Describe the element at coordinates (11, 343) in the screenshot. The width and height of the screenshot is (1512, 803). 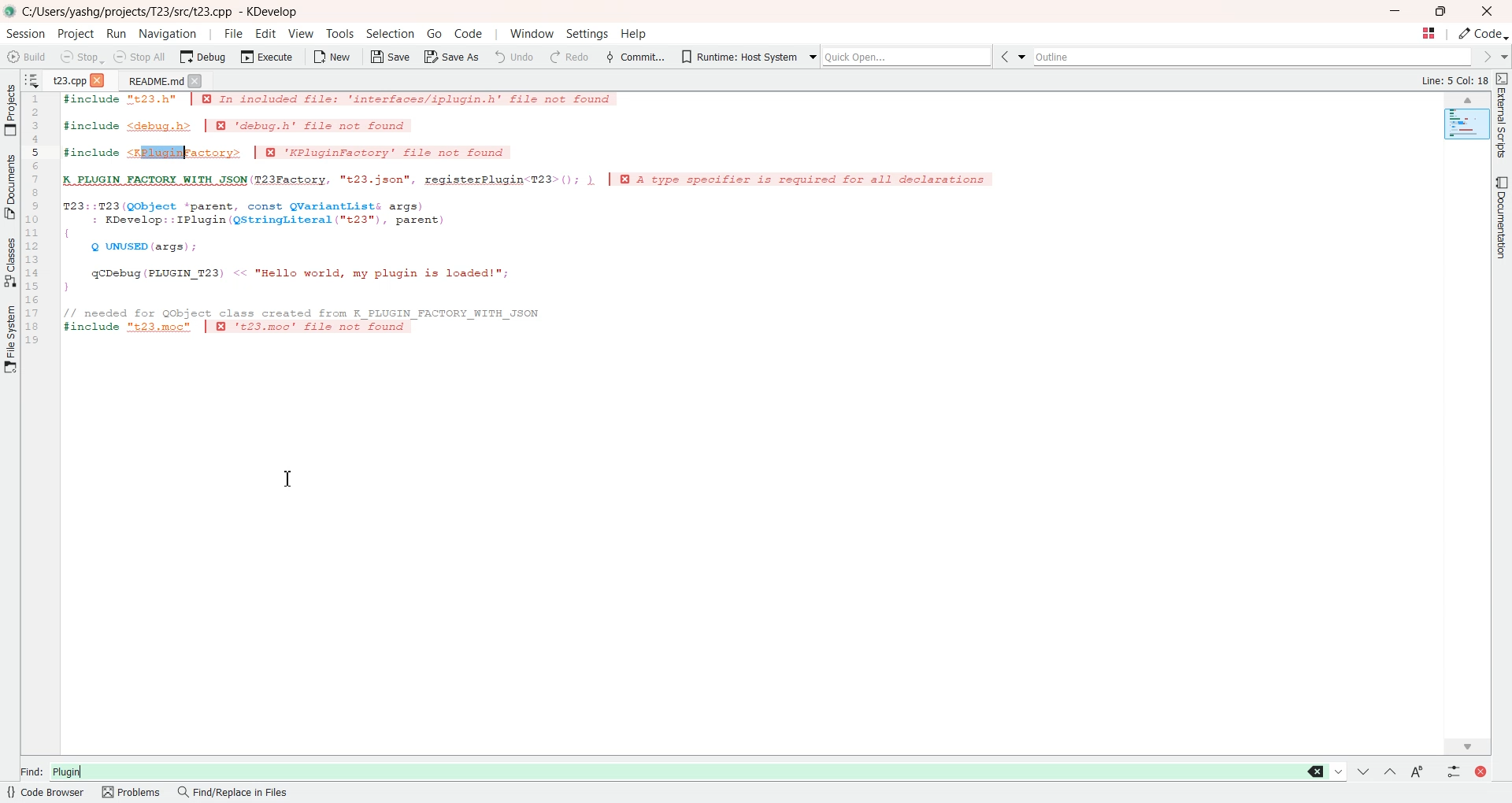
I see `File system` at that location.